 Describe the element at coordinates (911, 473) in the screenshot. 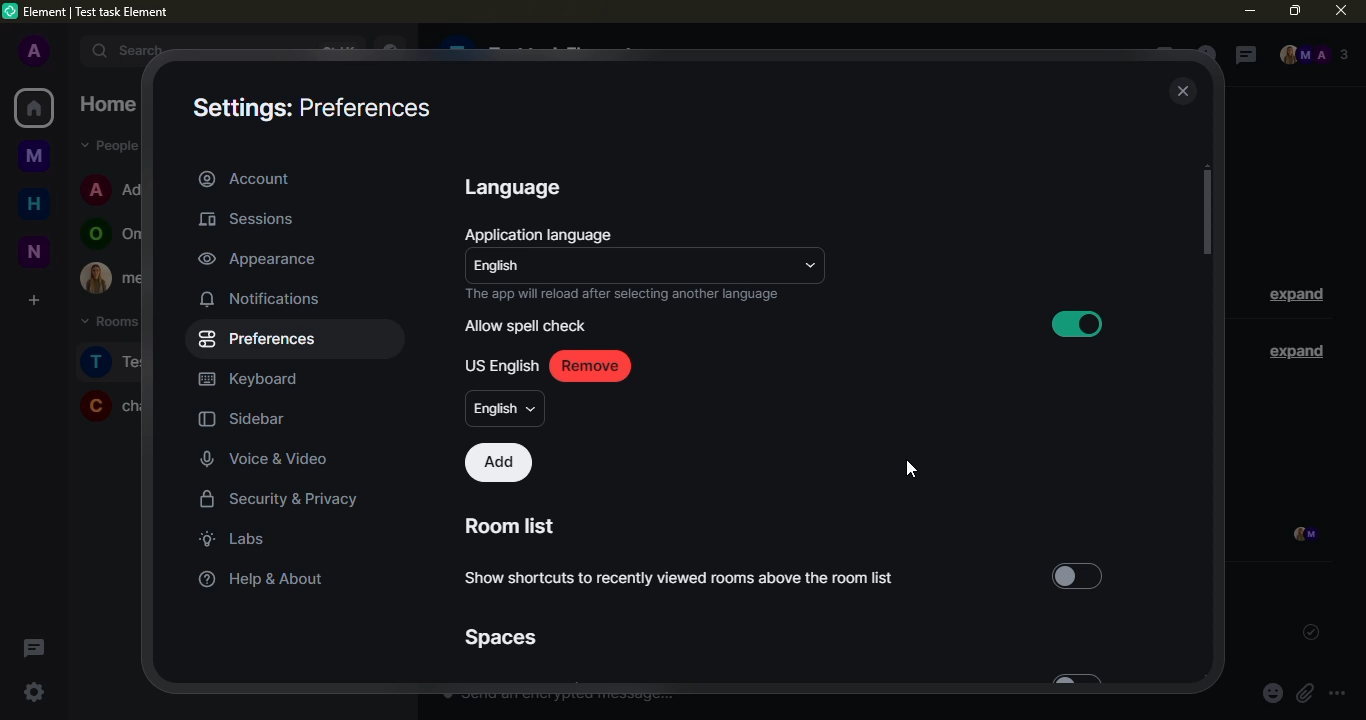

I see `cursor` at that location.